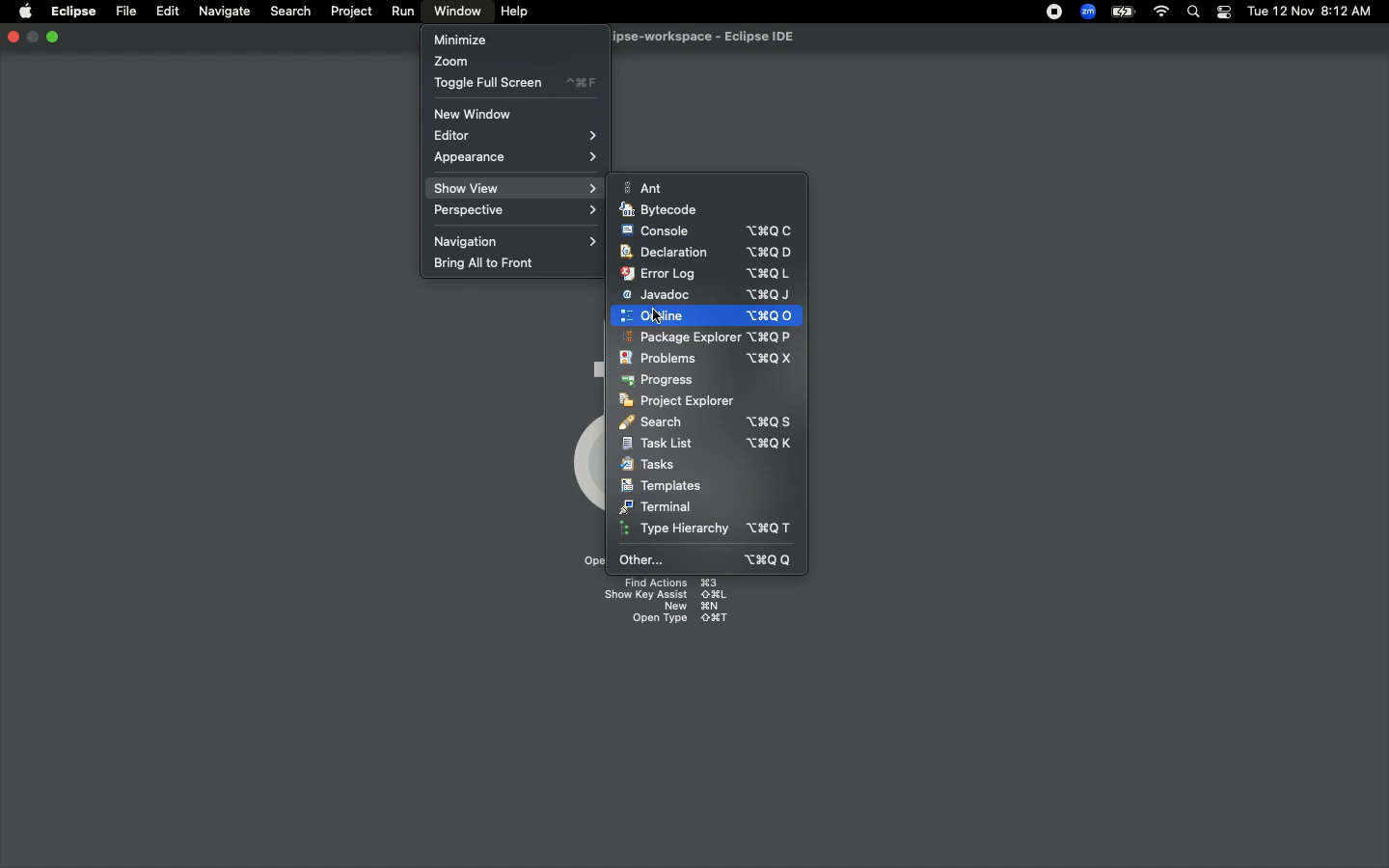  Describe the element at coordinates (512, 84) in the screenshot. I see `Toggle full screen` at that location.